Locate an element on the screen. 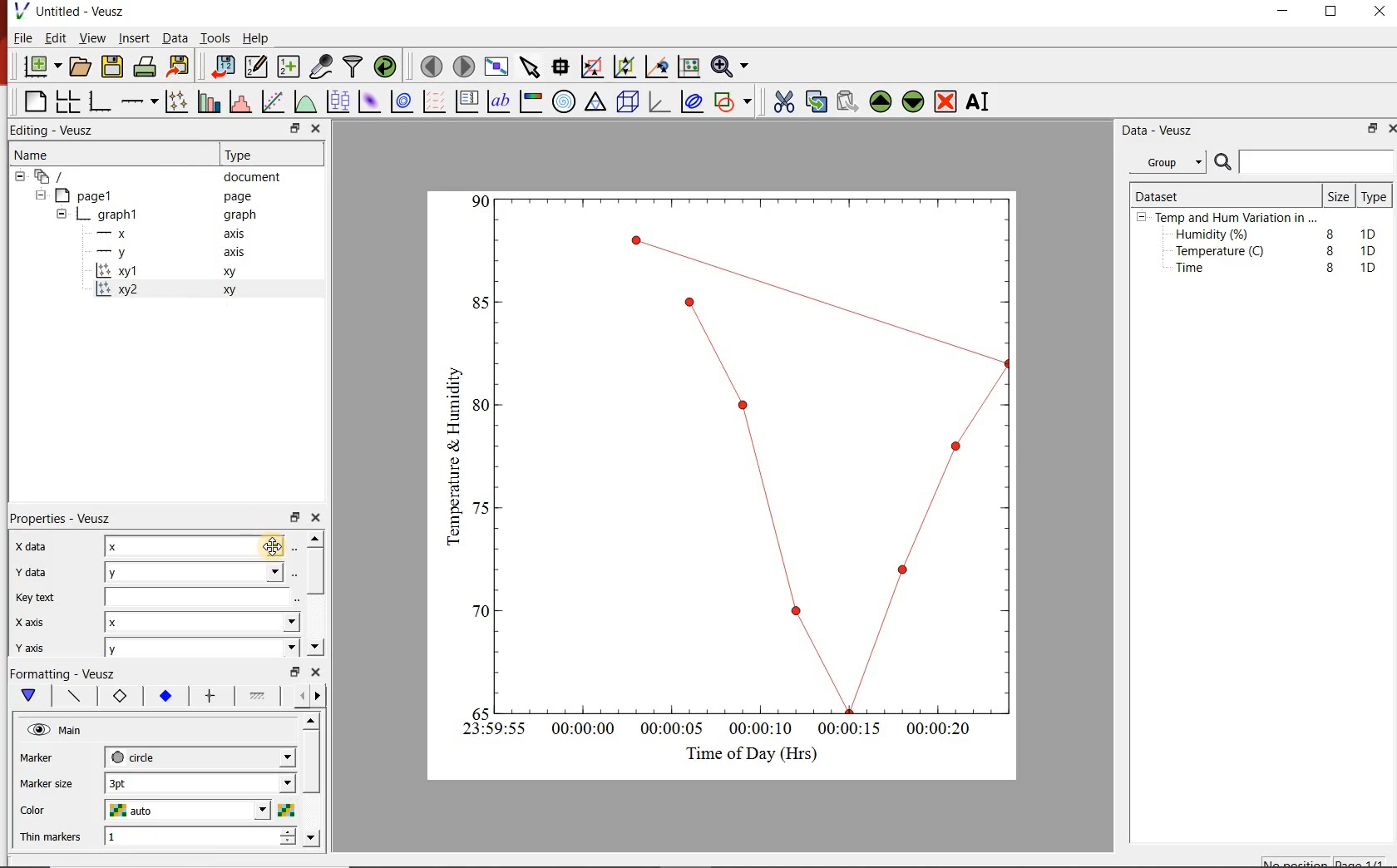  y data dropdown is located at coordinates (249, 572).